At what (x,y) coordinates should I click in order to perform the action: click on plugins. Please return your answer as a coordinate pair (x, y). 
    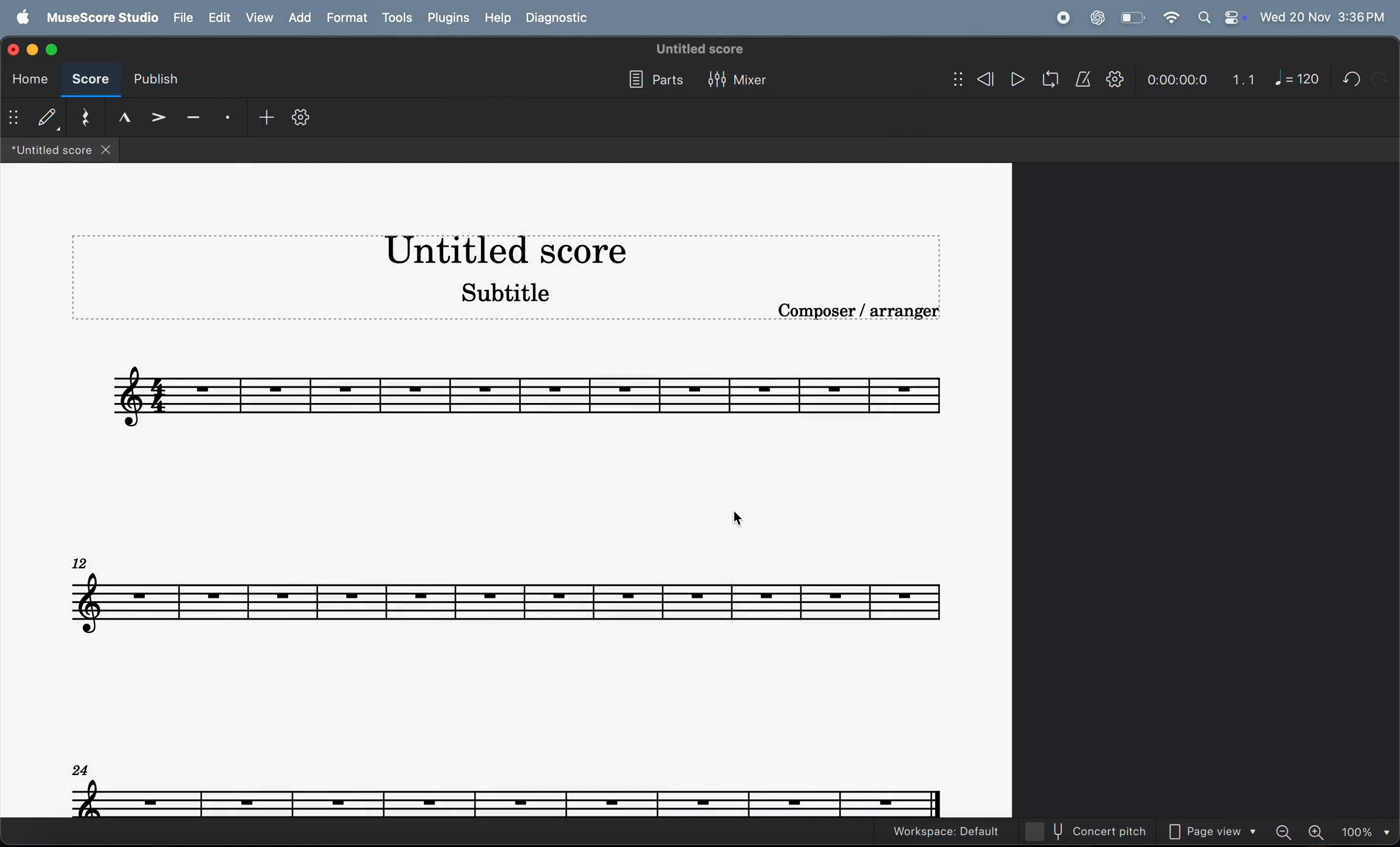
    Looking at the image, I should click on (448, 18).